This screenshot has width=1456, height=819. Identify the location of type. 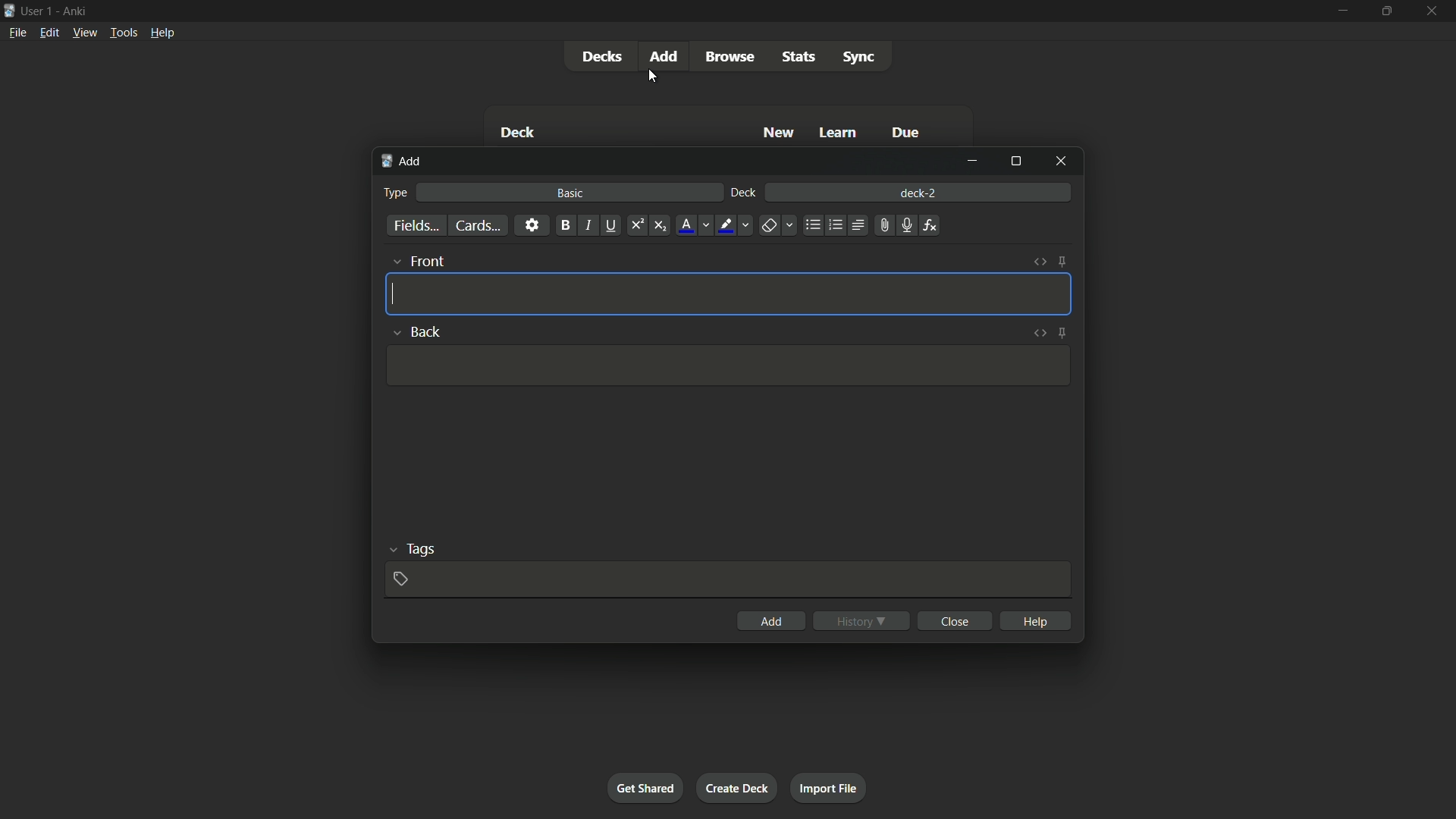
(397, 193).